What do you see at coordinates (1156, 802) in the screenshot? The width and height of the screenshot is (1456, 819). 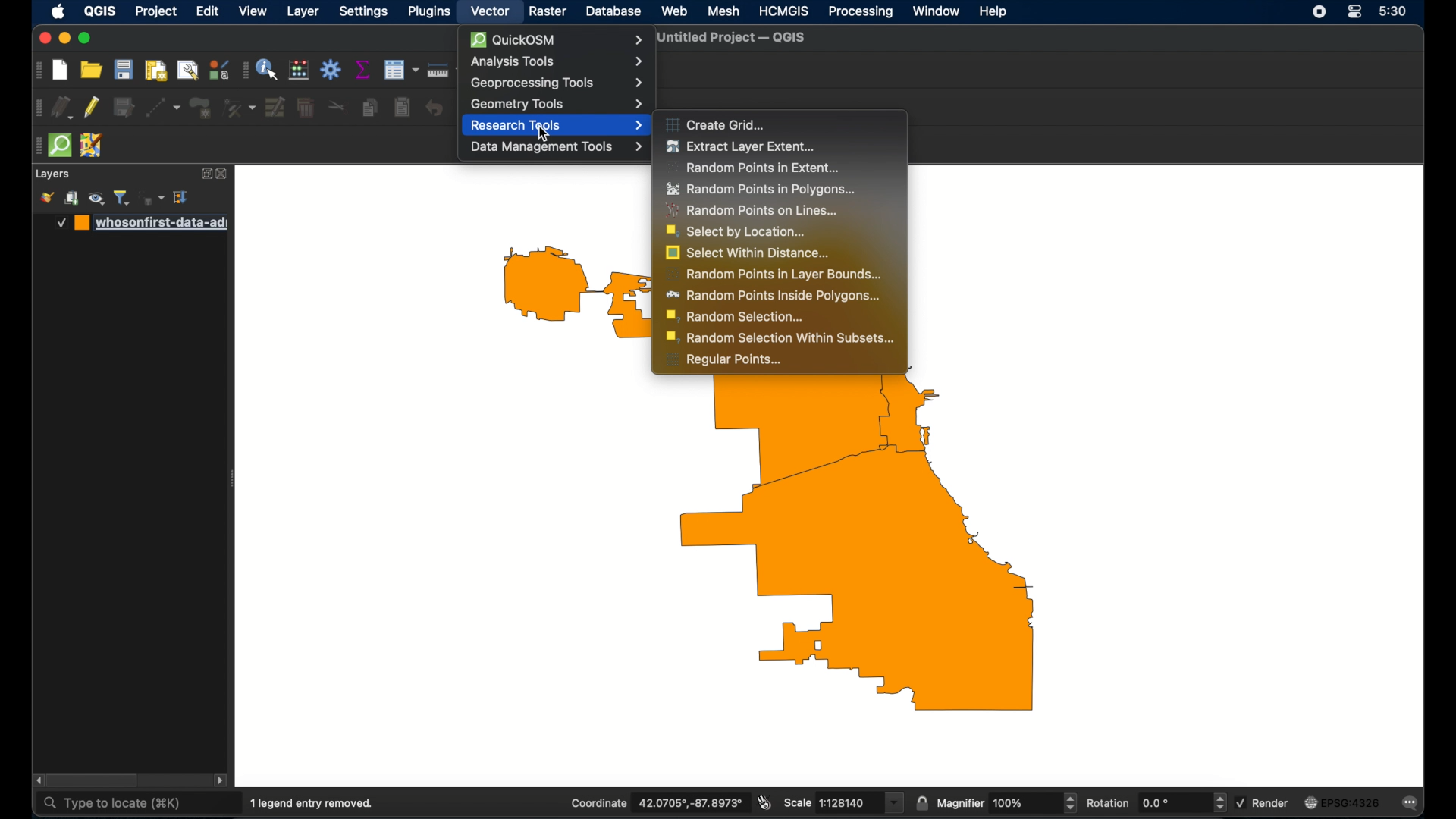 I see `rotation` at bounding box center [1156, 802].